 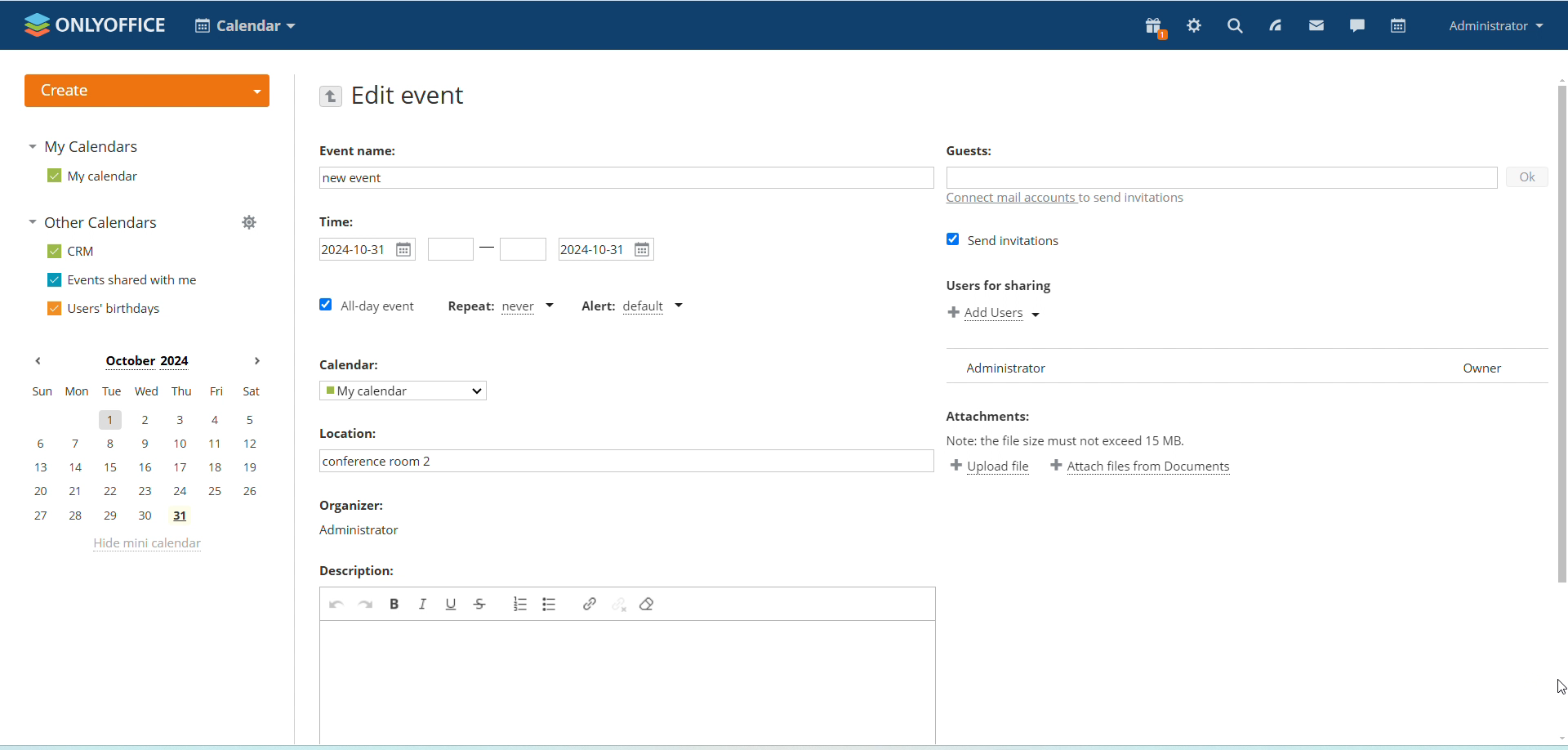 What do you see at coordinates (1067, 440) in the screenshot?
I see `Note: the file size must not exceed 15 mb` at bounding box center [1067, 440].